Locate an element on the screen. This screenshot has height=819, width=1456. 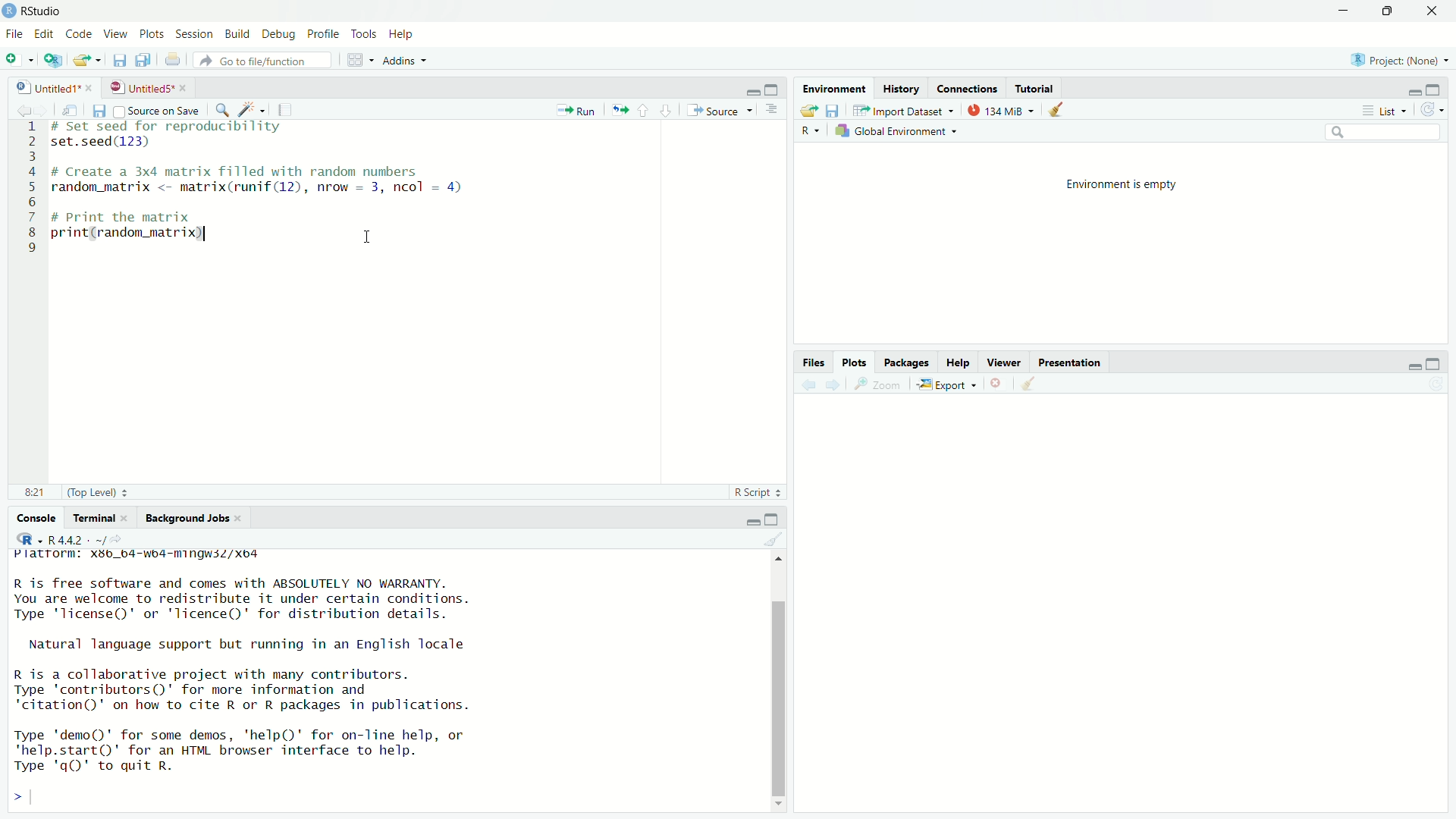
Help is located at coordinates (405, 36).